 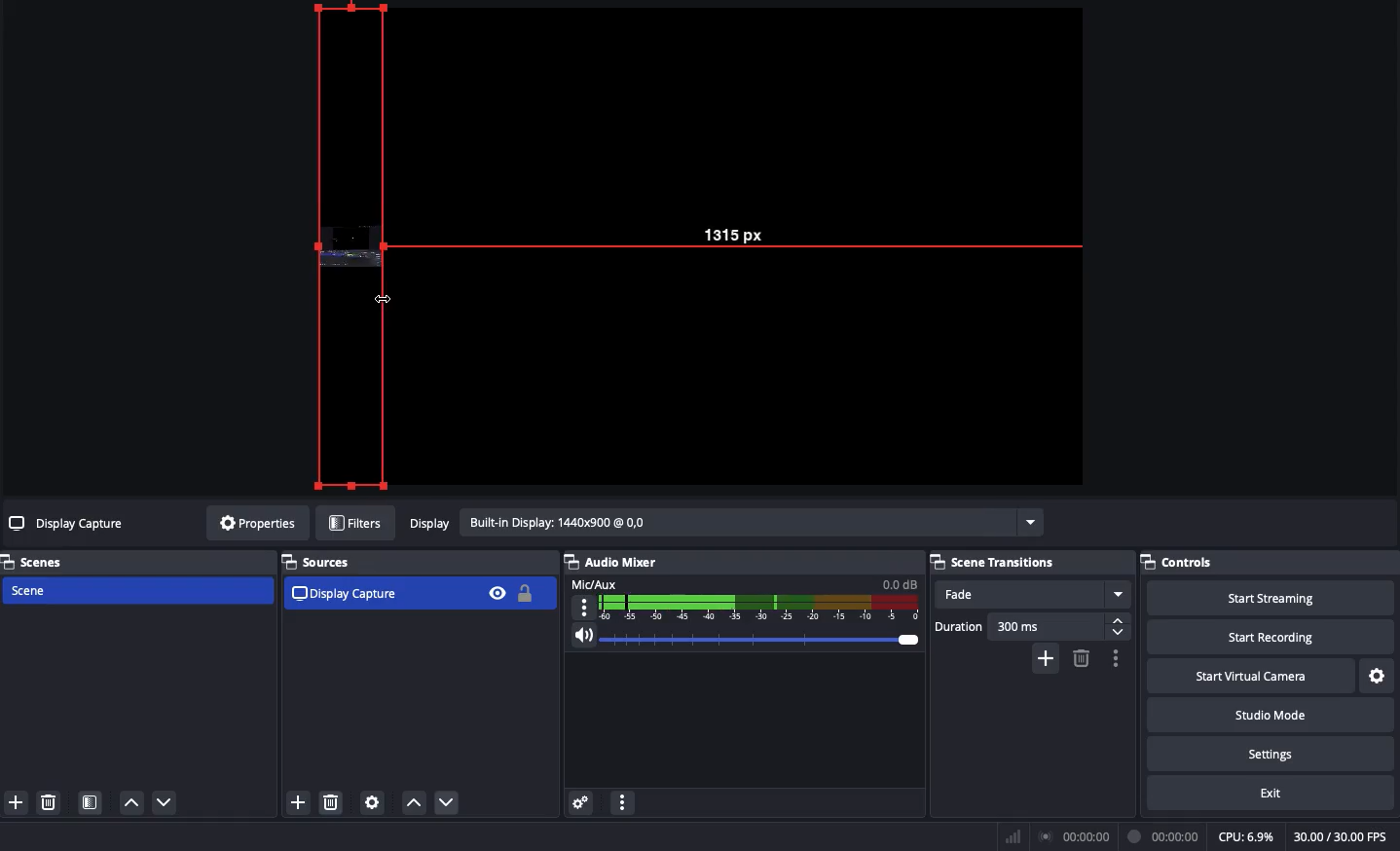 I want to click on Display capture, so click(x=69, y=526).